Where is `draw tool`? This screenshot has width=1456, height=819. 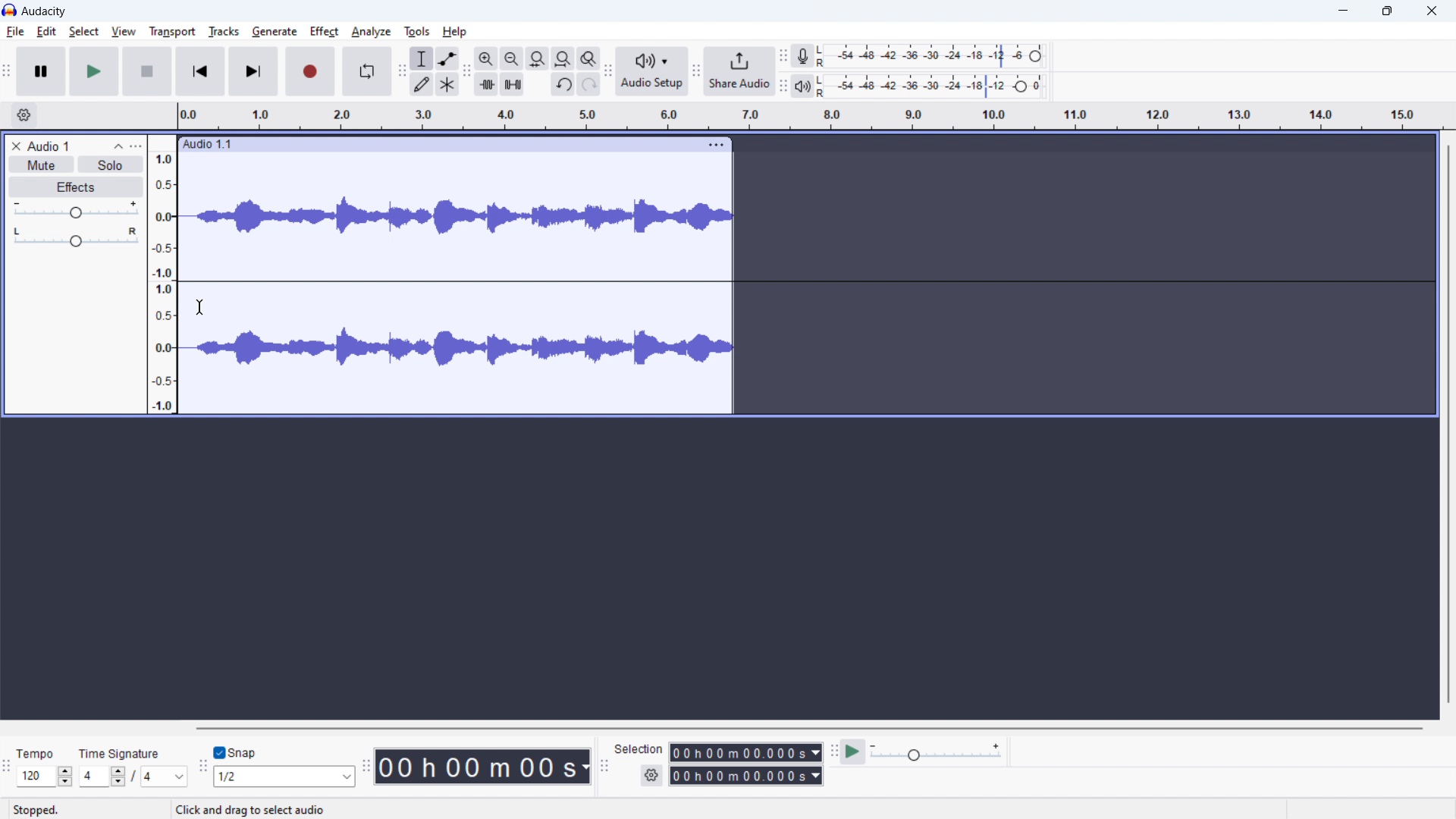 draw tool is located at coordinates (423, 83).